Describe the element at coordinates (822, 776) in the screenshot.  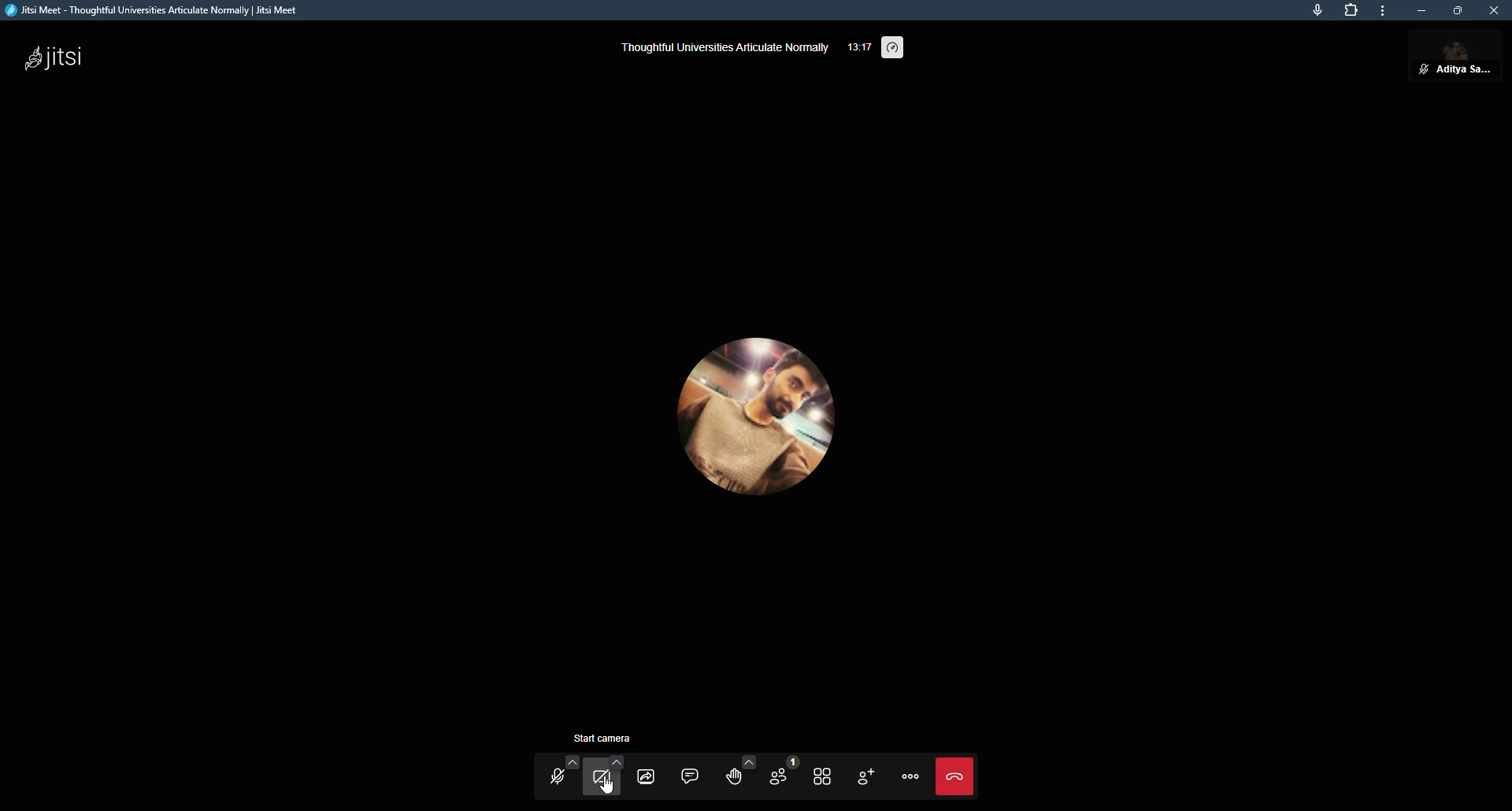
I see `toggle title view` at that location.